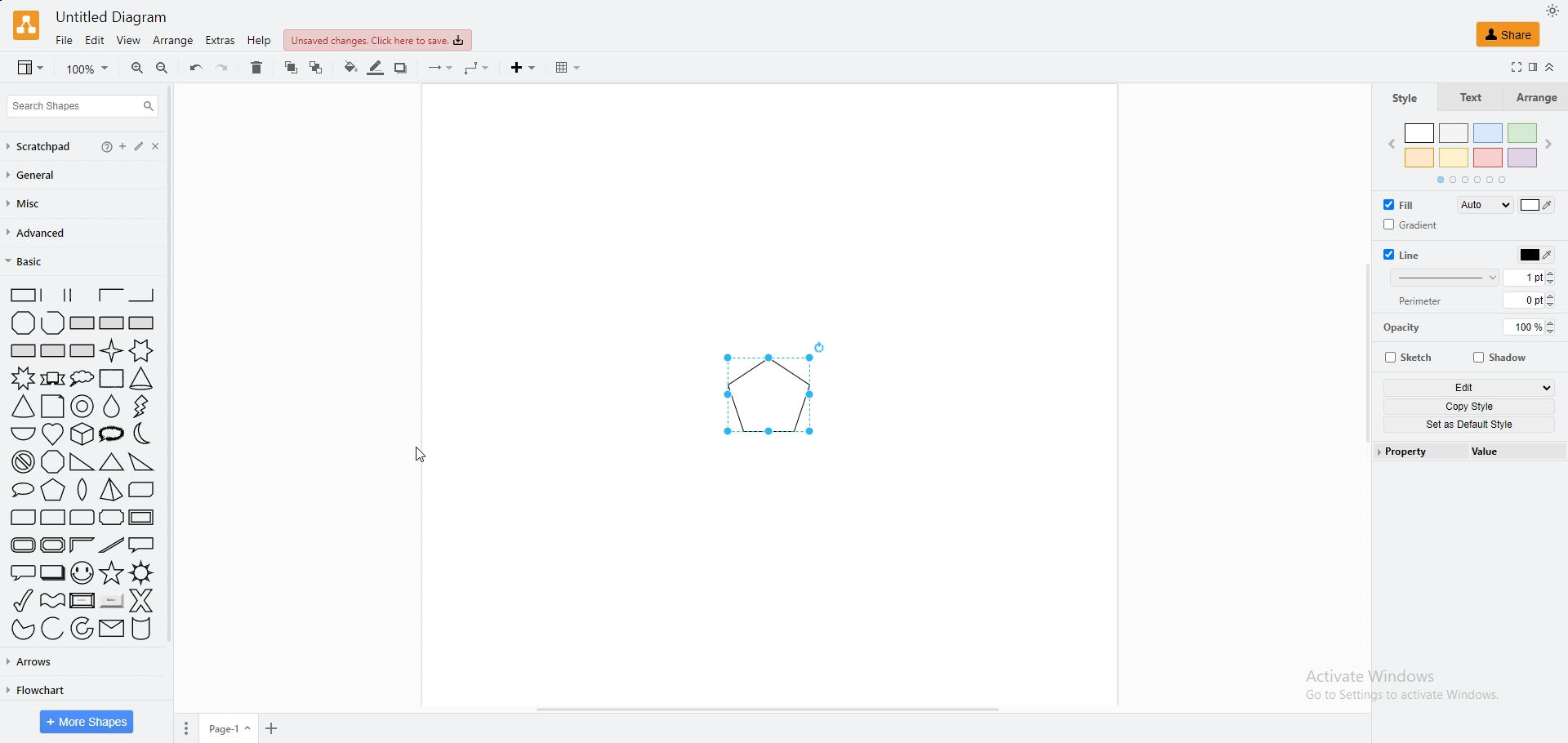 The height and width of the screenshot is (743, 1568). What do you see at coordinates (179, 379) in the screenshot?
I see `scroll bar` at bounding box center [179, 379].